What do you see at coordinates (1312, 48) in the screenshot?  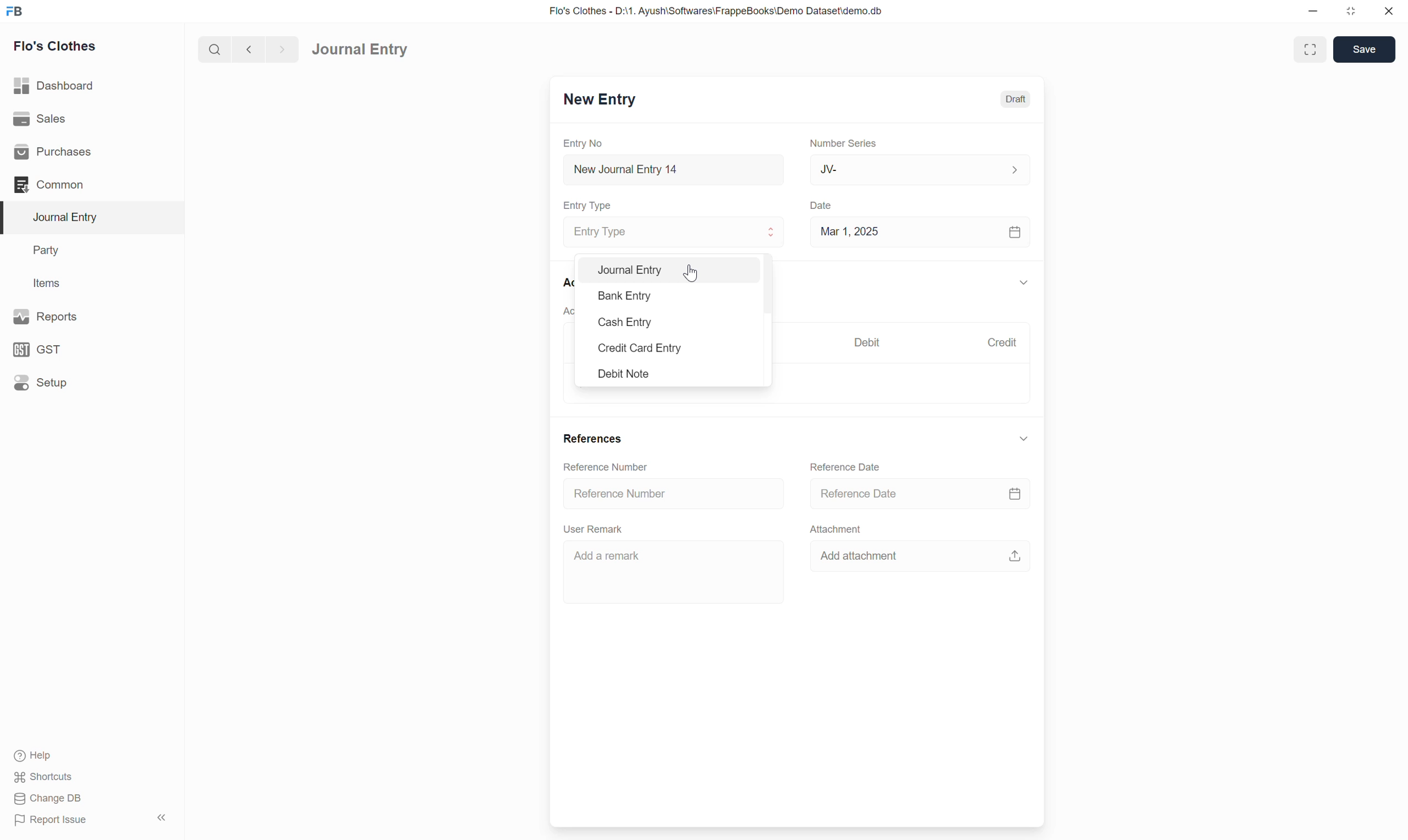 I see `enlarge` at bounding box center [1312, 48].